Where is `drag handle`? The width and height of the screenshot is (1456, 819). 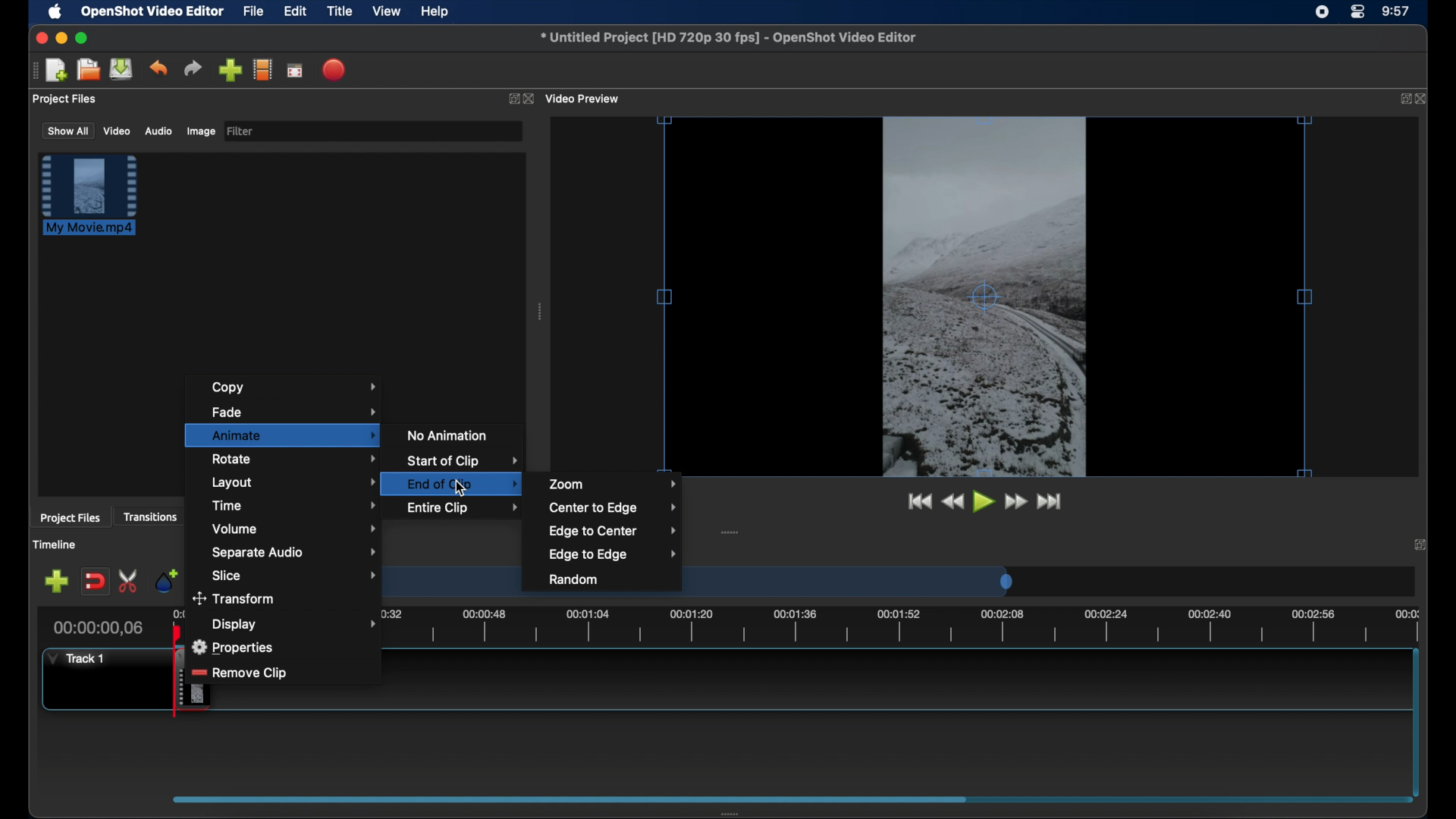
drag handle is located at coordinates (730, 532).